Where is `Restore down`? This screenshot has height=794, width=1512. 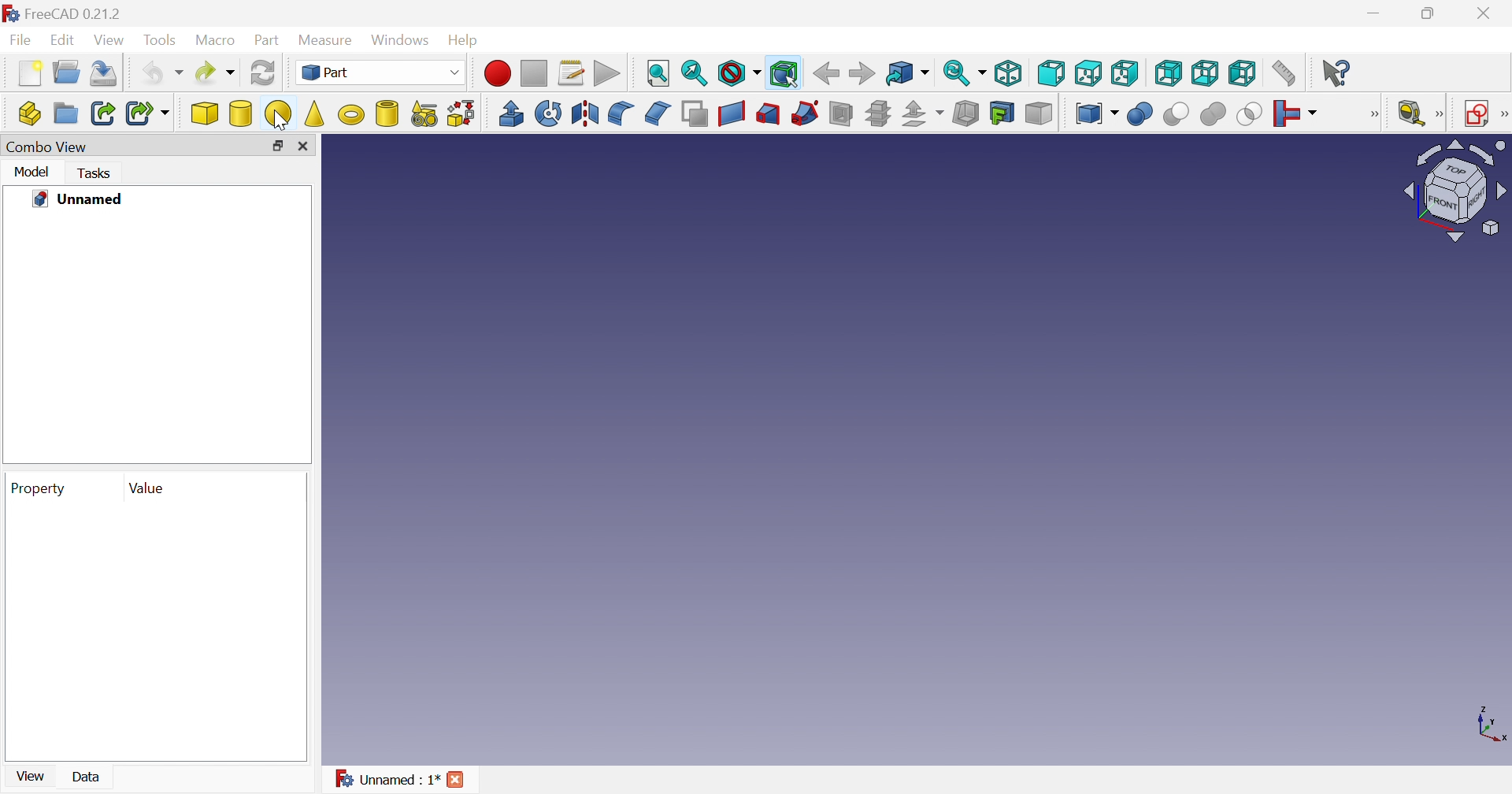 Restore down is located at coordinates (1432, 13).